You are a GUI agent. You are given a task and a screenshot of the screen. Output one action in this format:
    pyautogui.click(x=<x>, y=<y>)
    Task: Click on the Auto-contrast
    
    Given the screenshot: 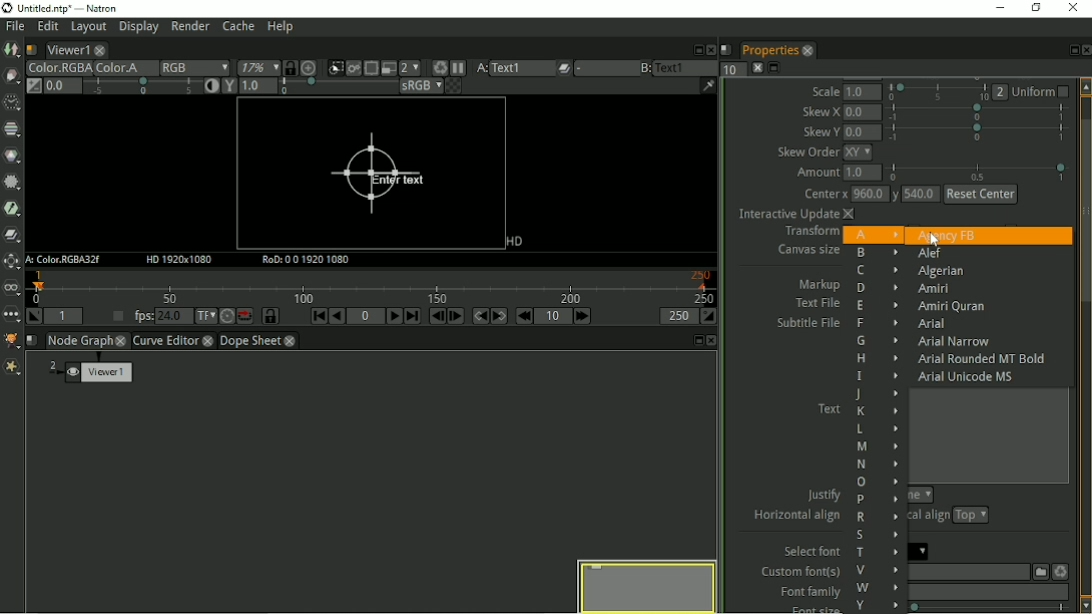 What is the action you would take?
    pyautogui.click(x=210, y=87)
    